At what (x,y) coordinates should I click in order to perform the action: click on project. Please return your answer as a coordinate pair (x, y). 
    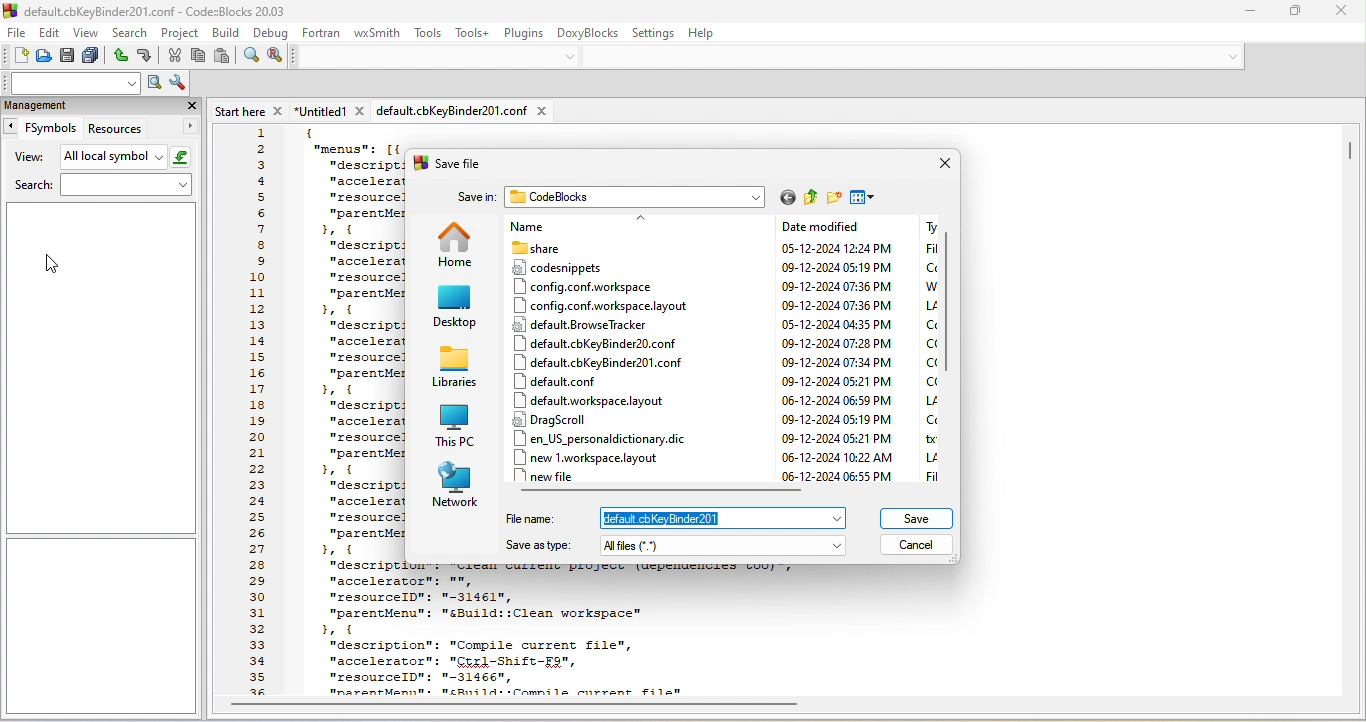
    Looking at the image, I should click on (178, 32).